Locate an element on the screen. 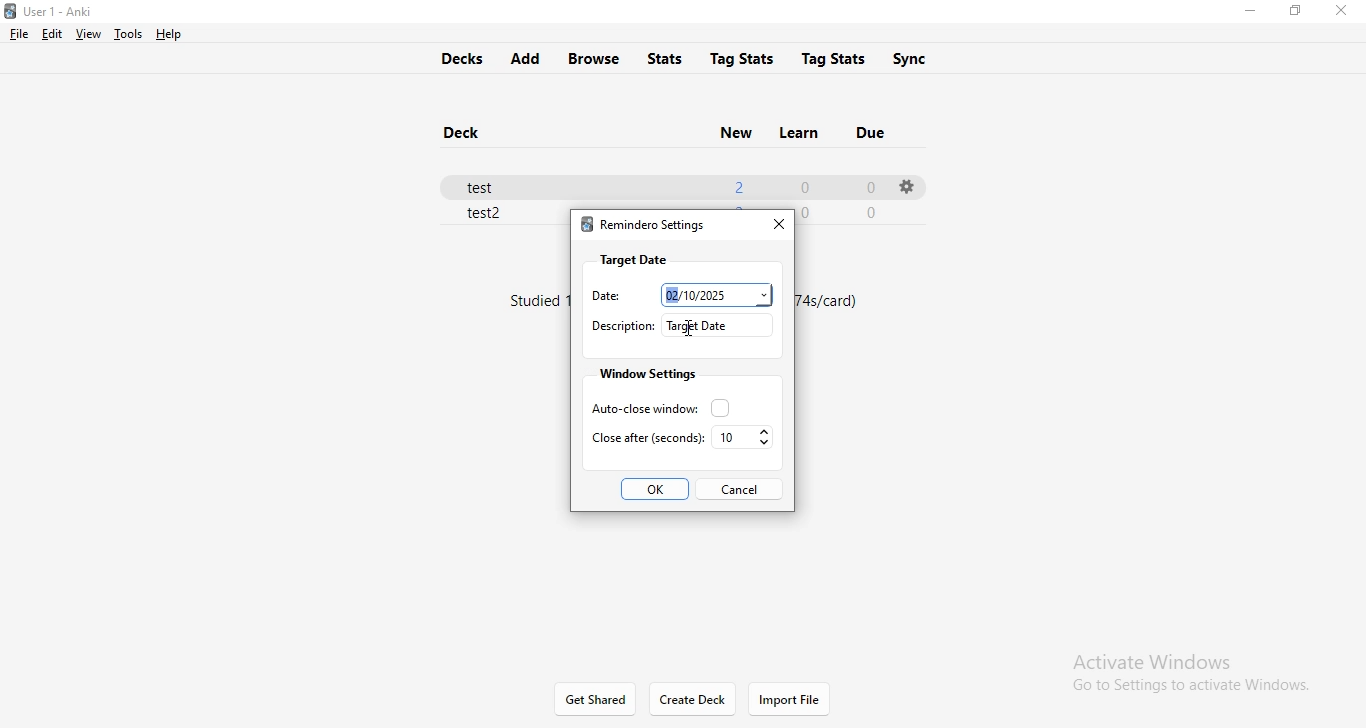  target date is located at coordinates (633, 259).